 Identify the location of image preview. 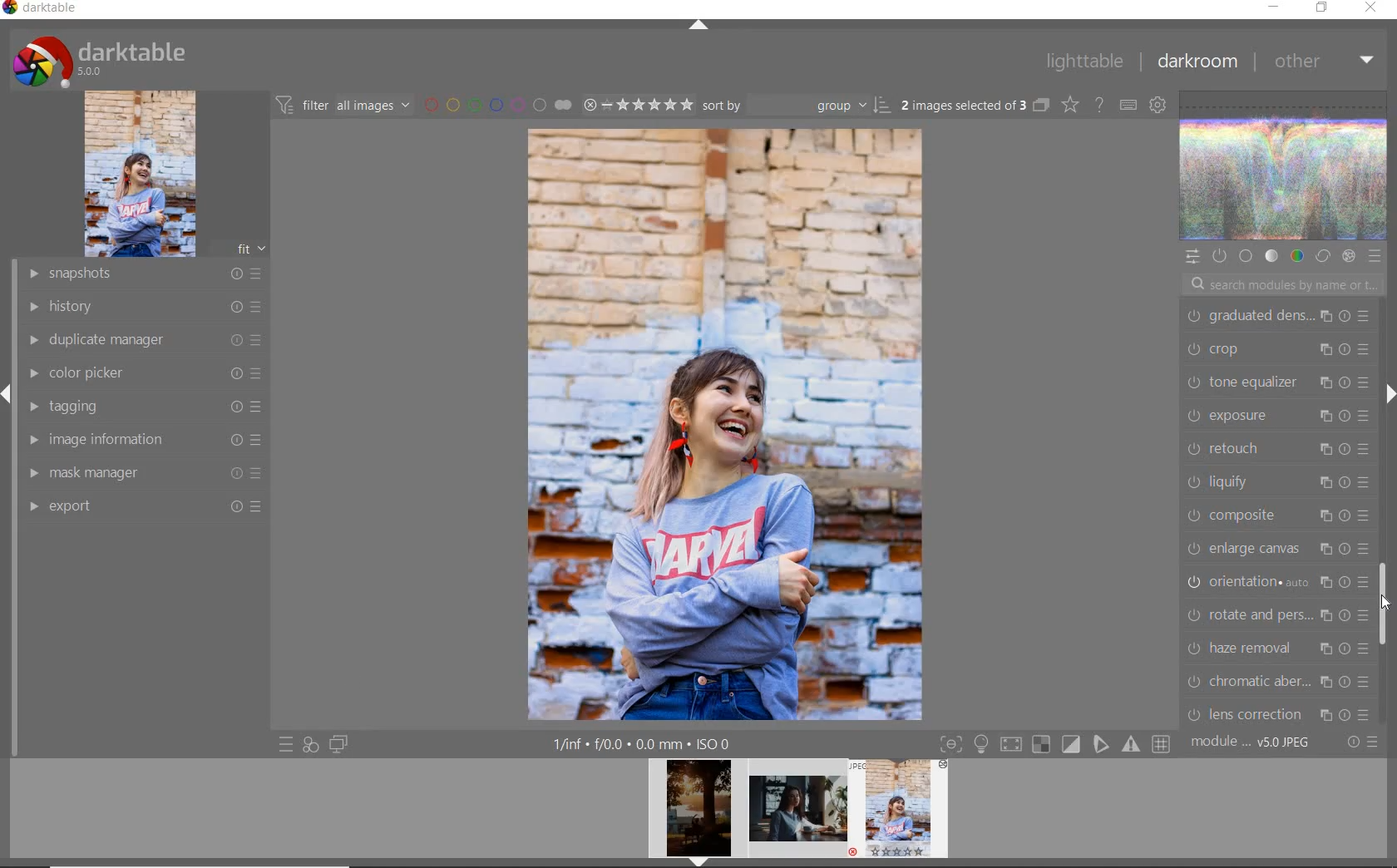
(694, 813).